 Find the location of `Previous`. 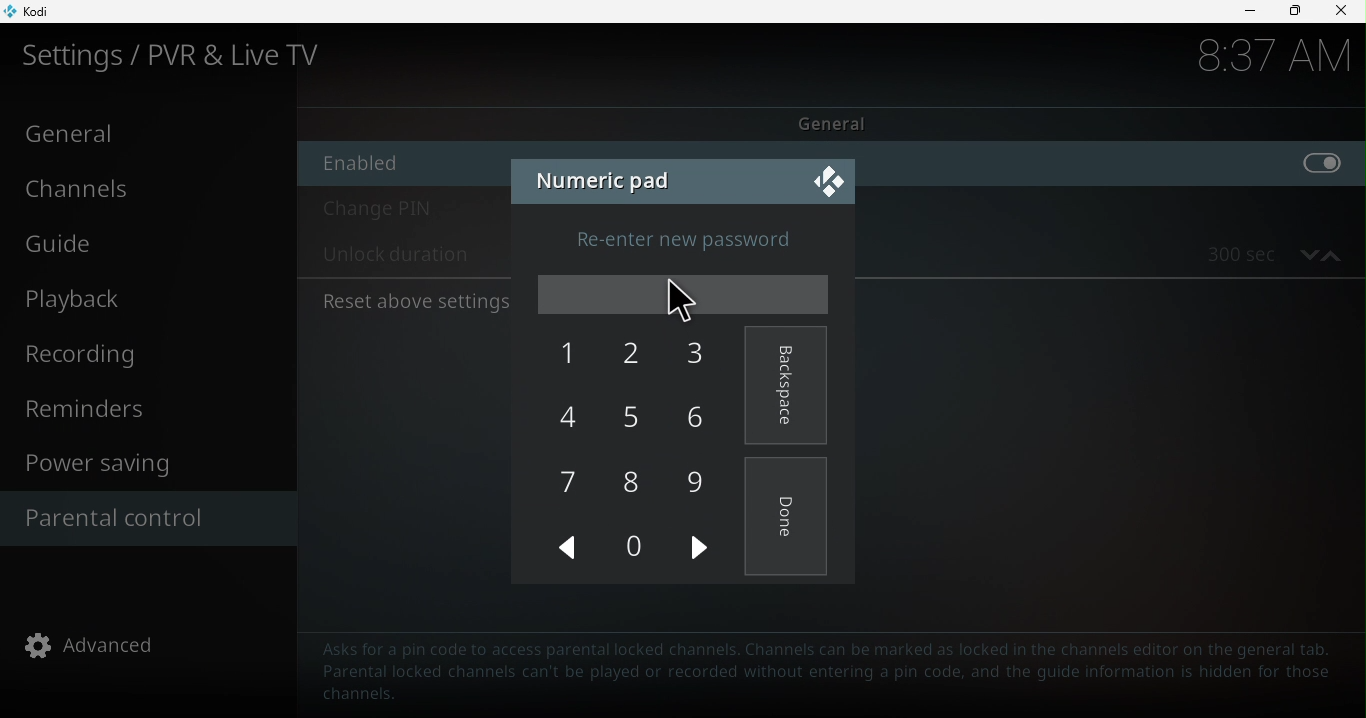

Previous is located at coordinates (565, 548).